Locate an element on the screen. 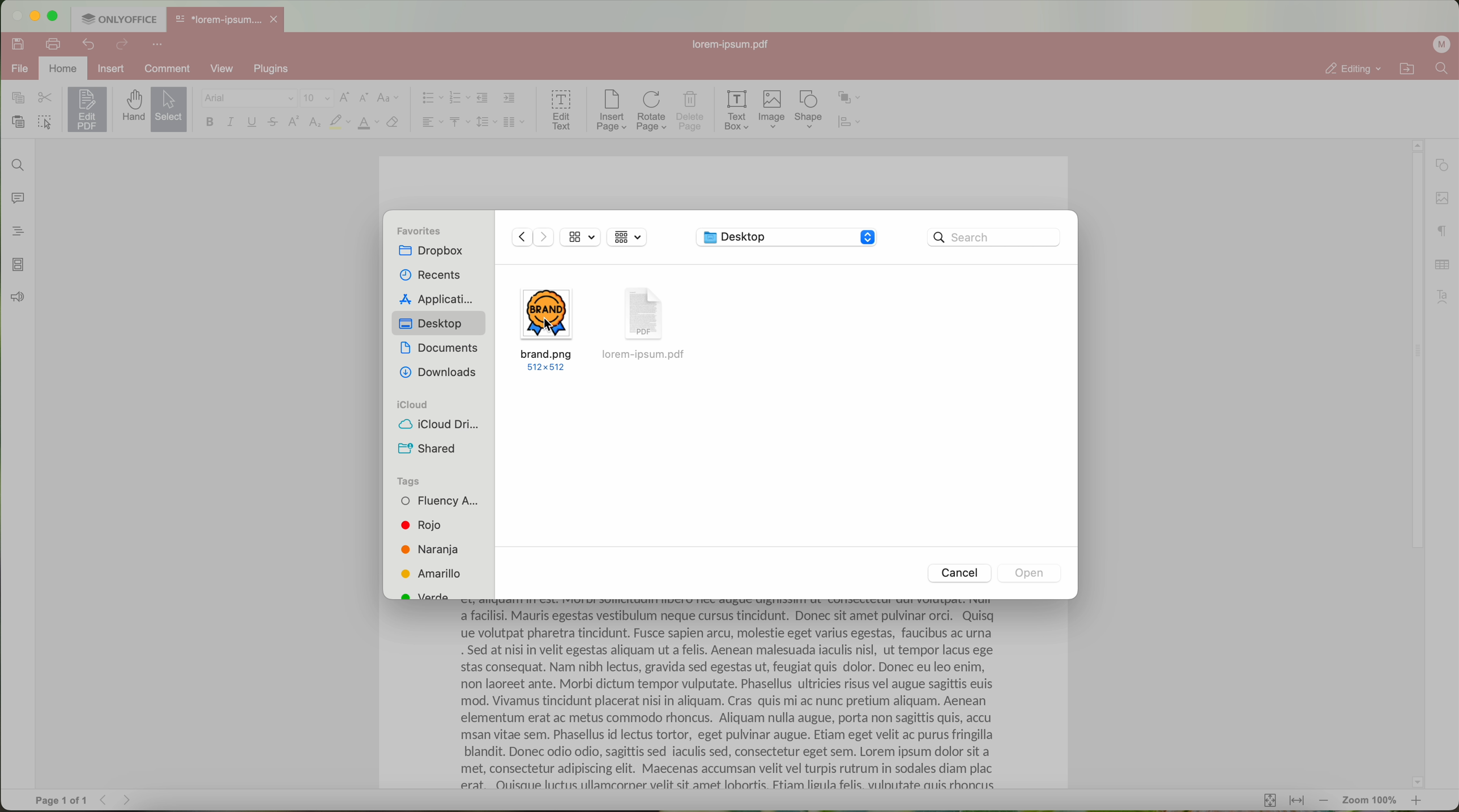  change case is located at coordinates (388, 98).